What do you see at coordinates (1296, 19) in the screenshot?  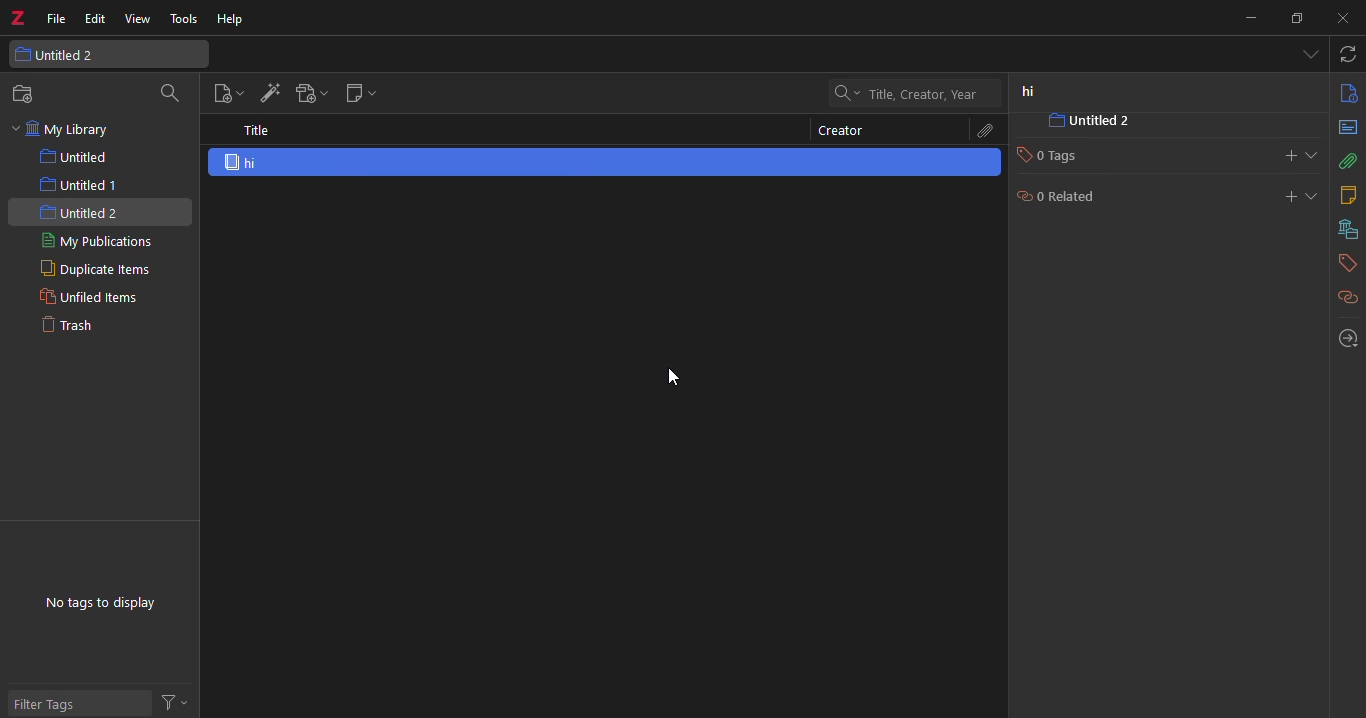 I see `maximize` at bounding box center [1296, 19].